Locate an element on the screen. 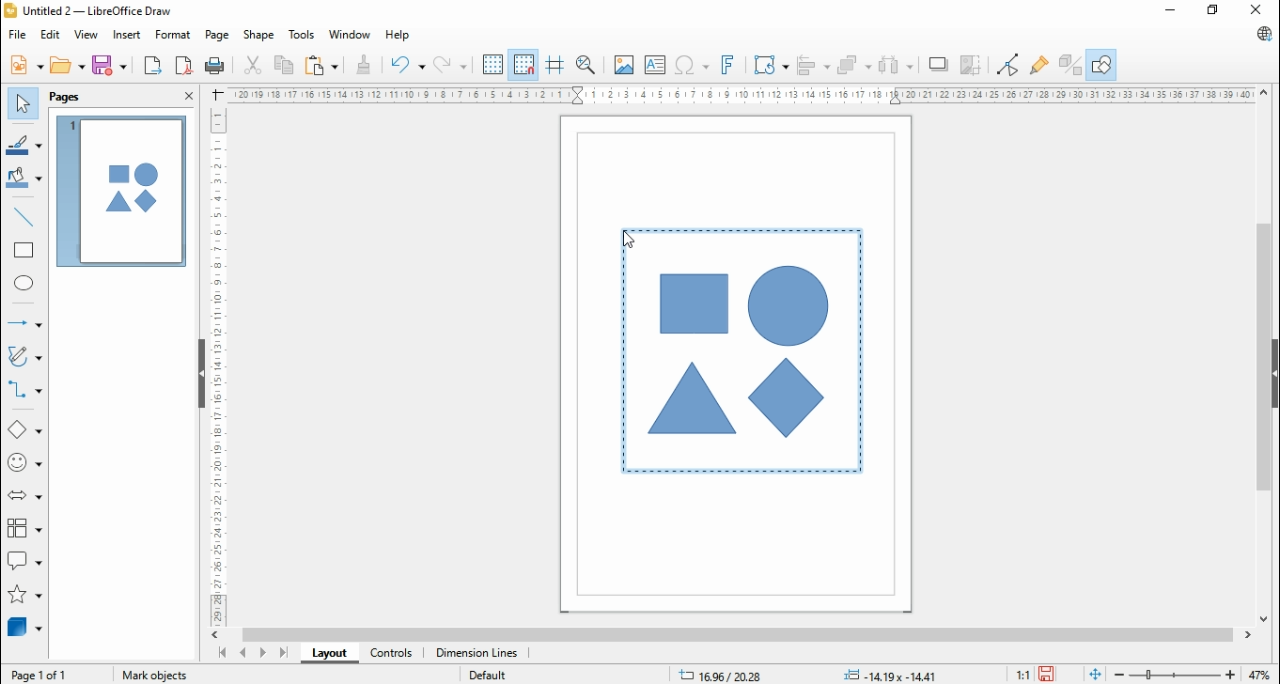  crop is located at coordinates (971, 66).